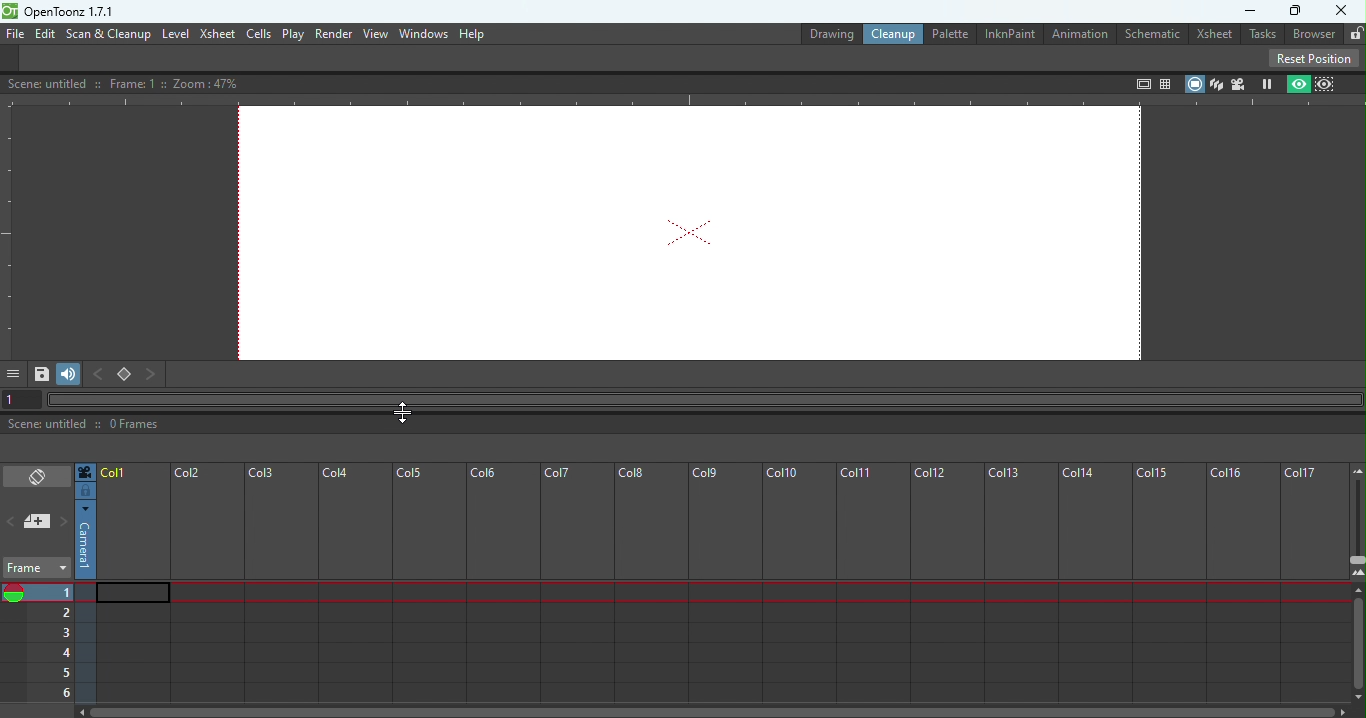 This screenshot has height=718, width=1366. Describe the element at coordinates (1357, 572) in the screenshot. I see `Zoom in` at that location.